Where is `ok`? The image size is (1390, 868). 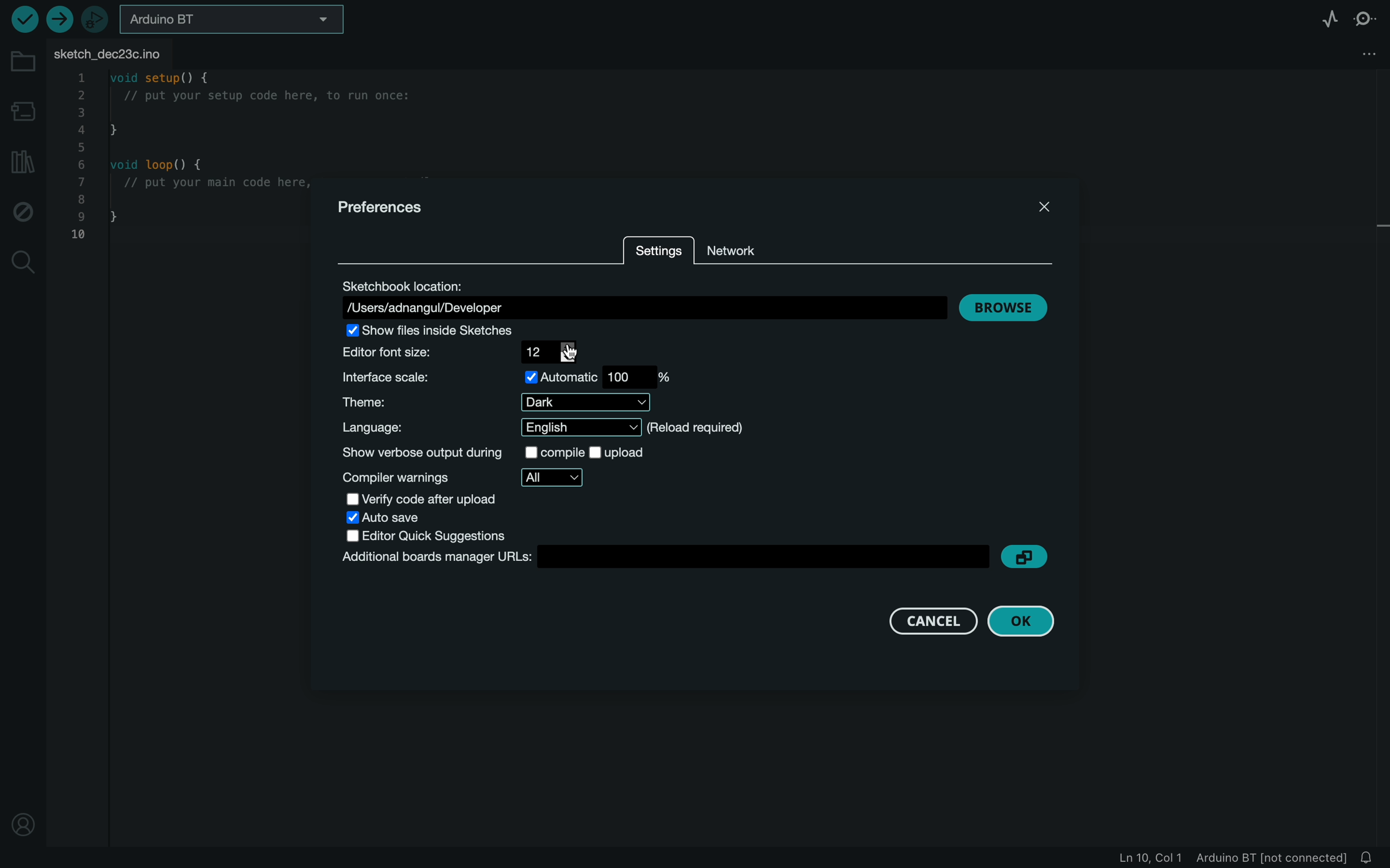 ok is located at coordinates (1025, 621).